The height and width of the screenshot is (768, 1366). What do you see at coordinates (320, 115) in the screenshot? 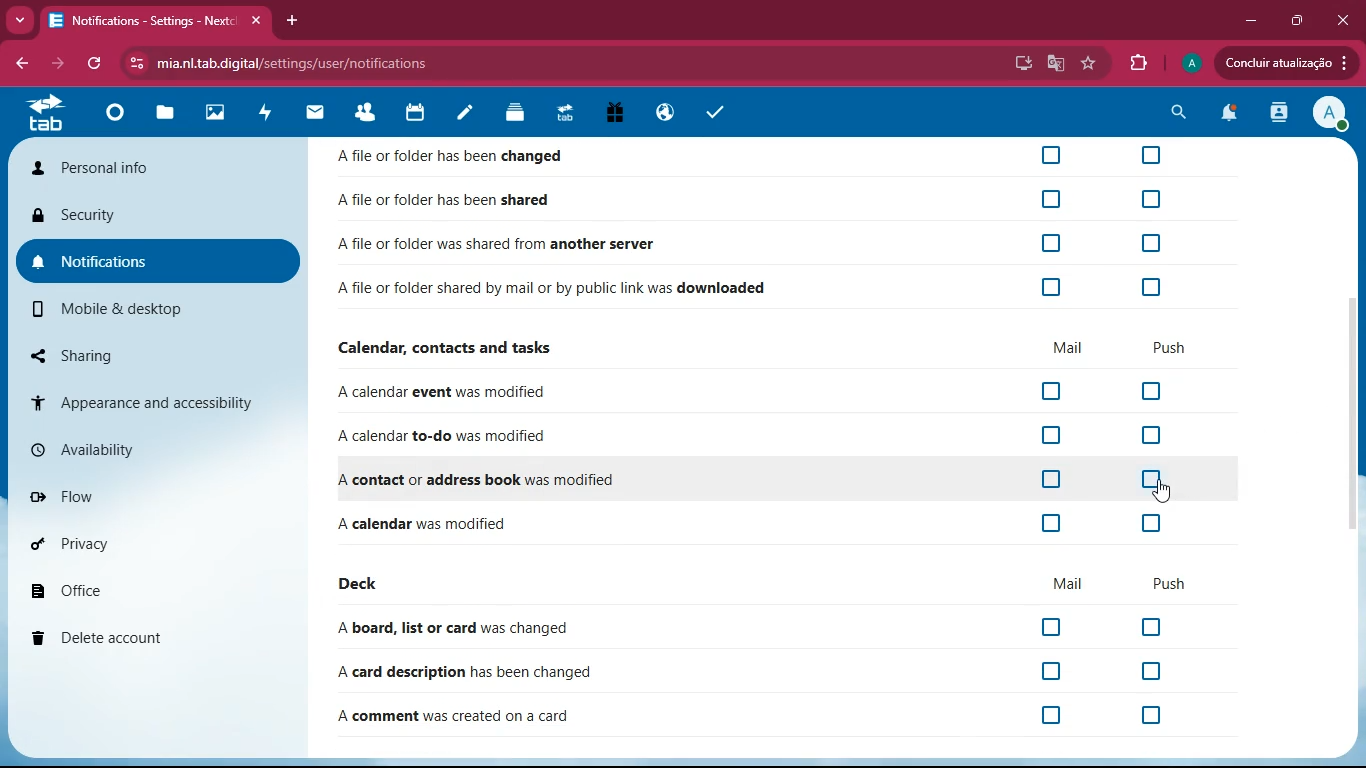
I see `mail` at bounding box center [320, 115].